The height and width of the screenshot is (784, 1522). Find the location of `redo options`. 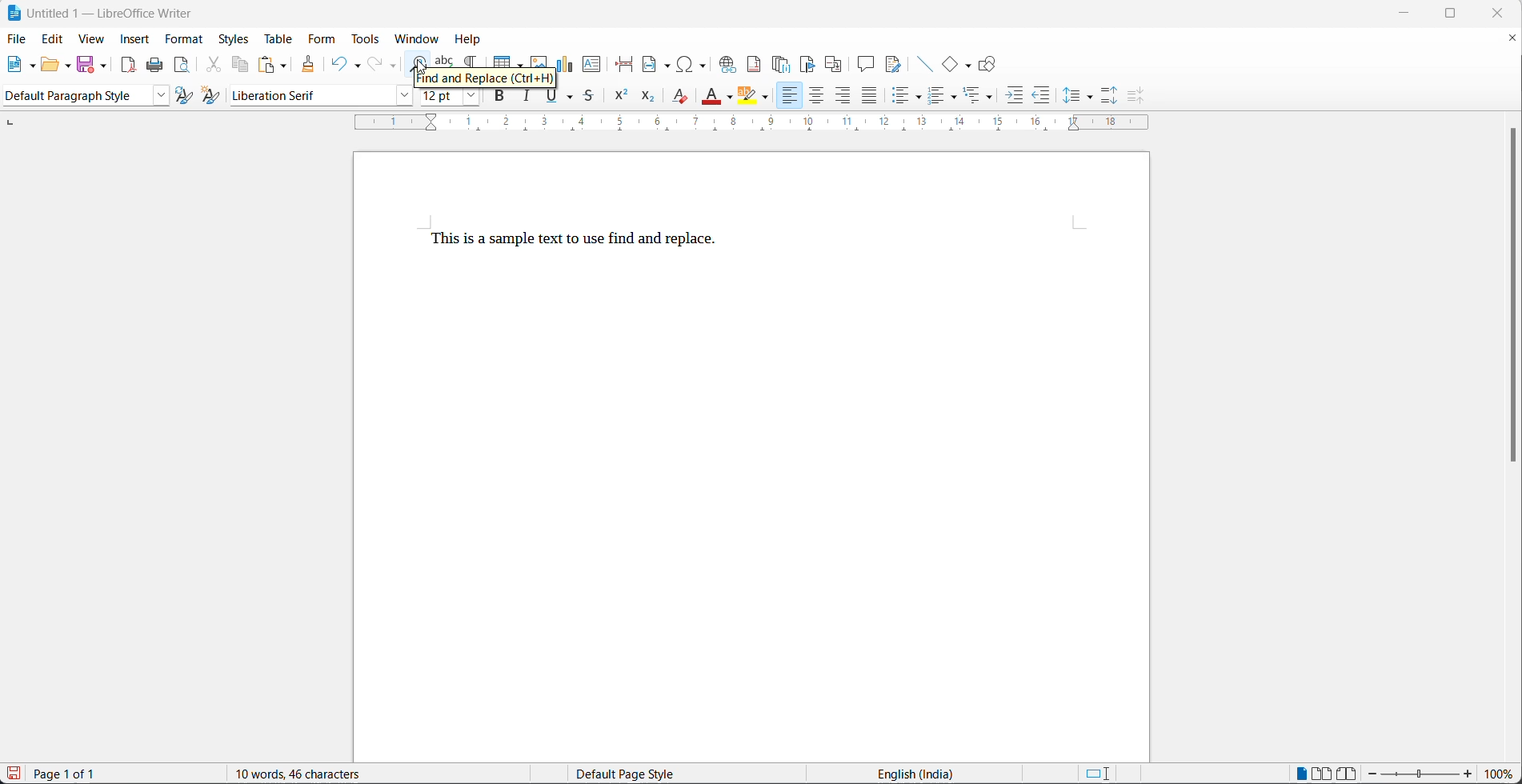

redo options is located at coordinates (394, 66).